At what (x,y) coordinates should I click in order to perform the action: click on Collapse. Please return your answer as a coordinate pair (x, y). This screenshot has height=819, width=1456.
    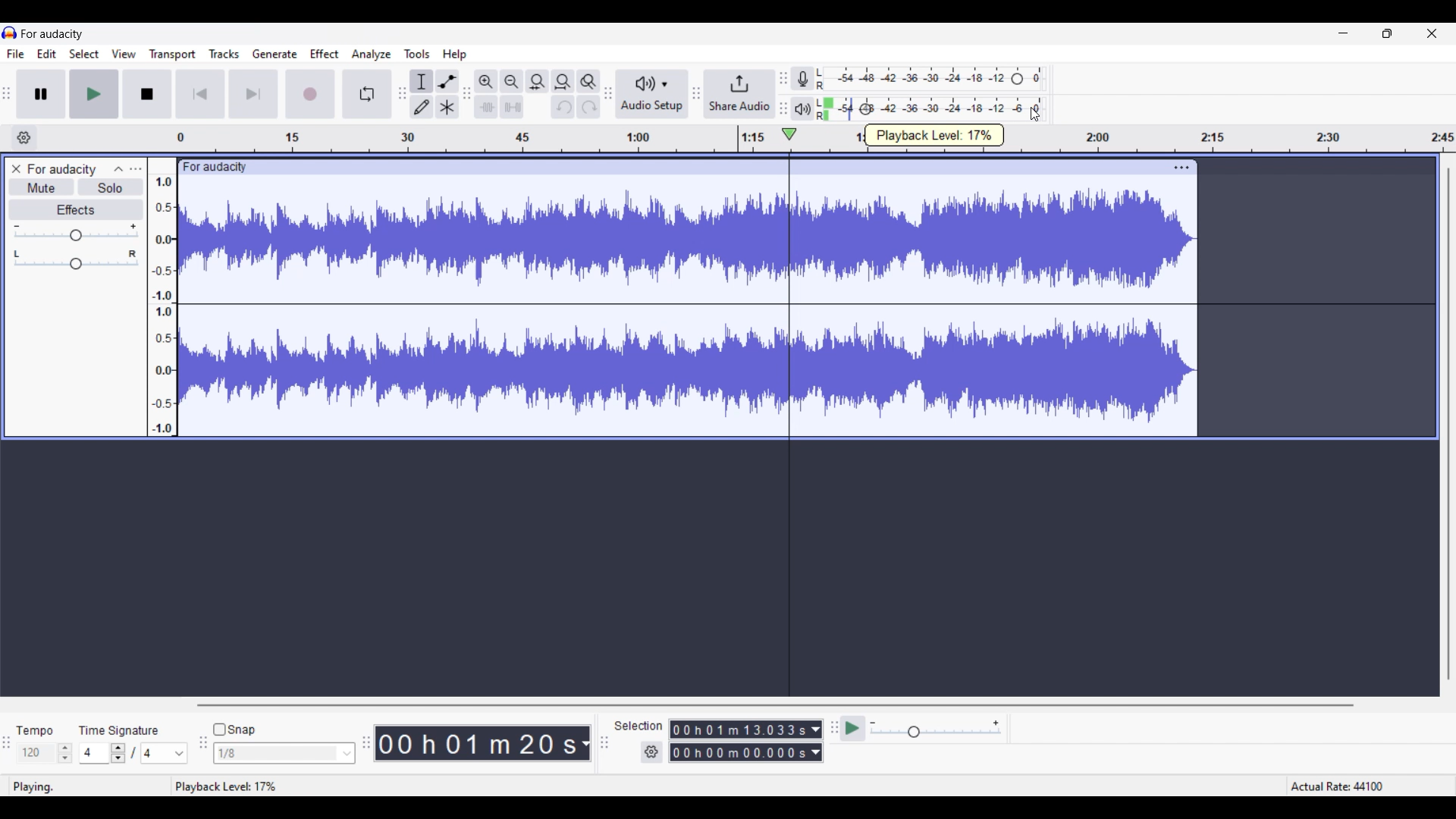
    Looking at the image, I should click on (119, 168).